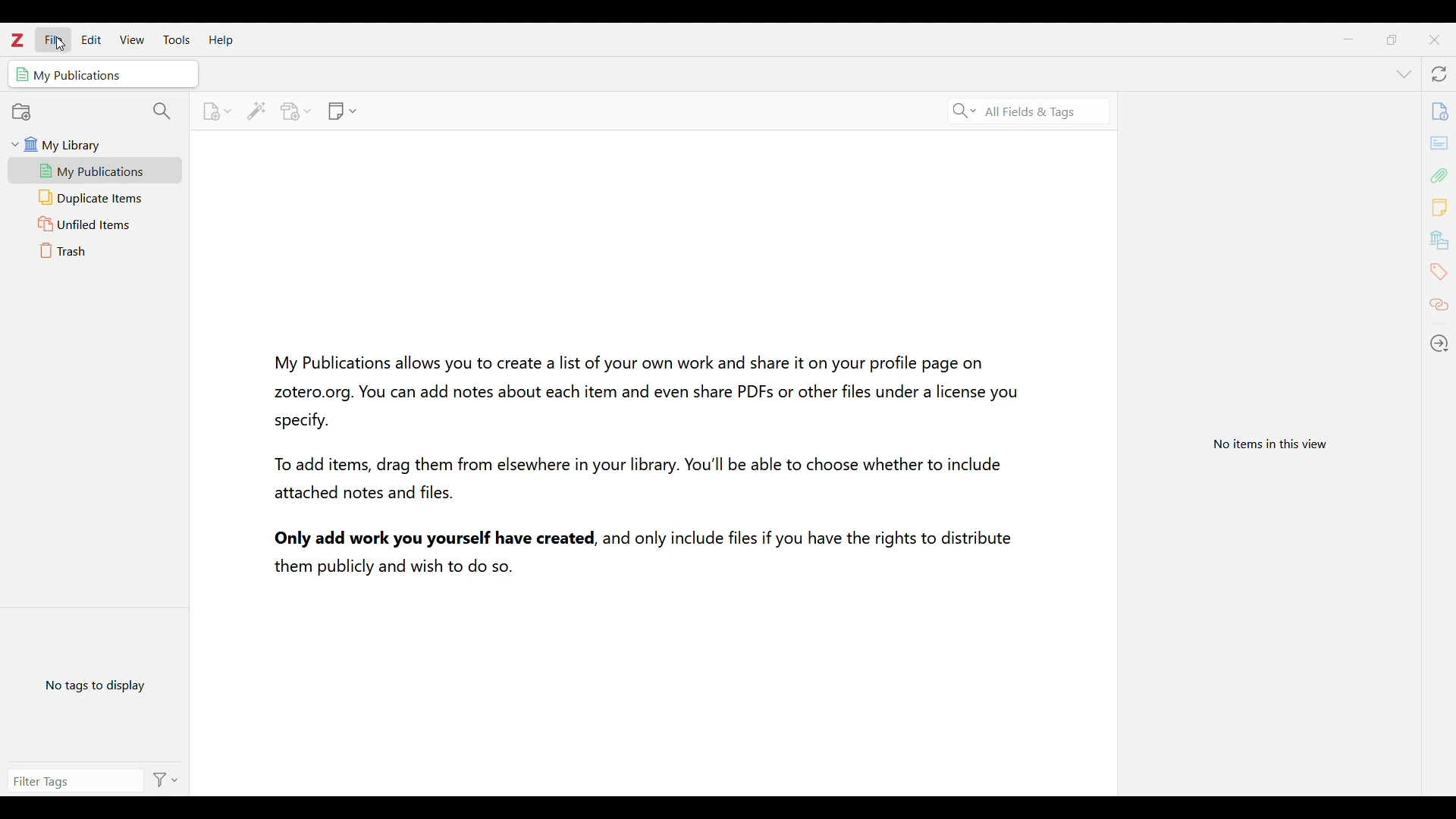 This screenshot has height=819, width=1456. What do you see at coordinates (1439, 306) in the screenshot?
I see `Related` at bounding box center [1439, 306].